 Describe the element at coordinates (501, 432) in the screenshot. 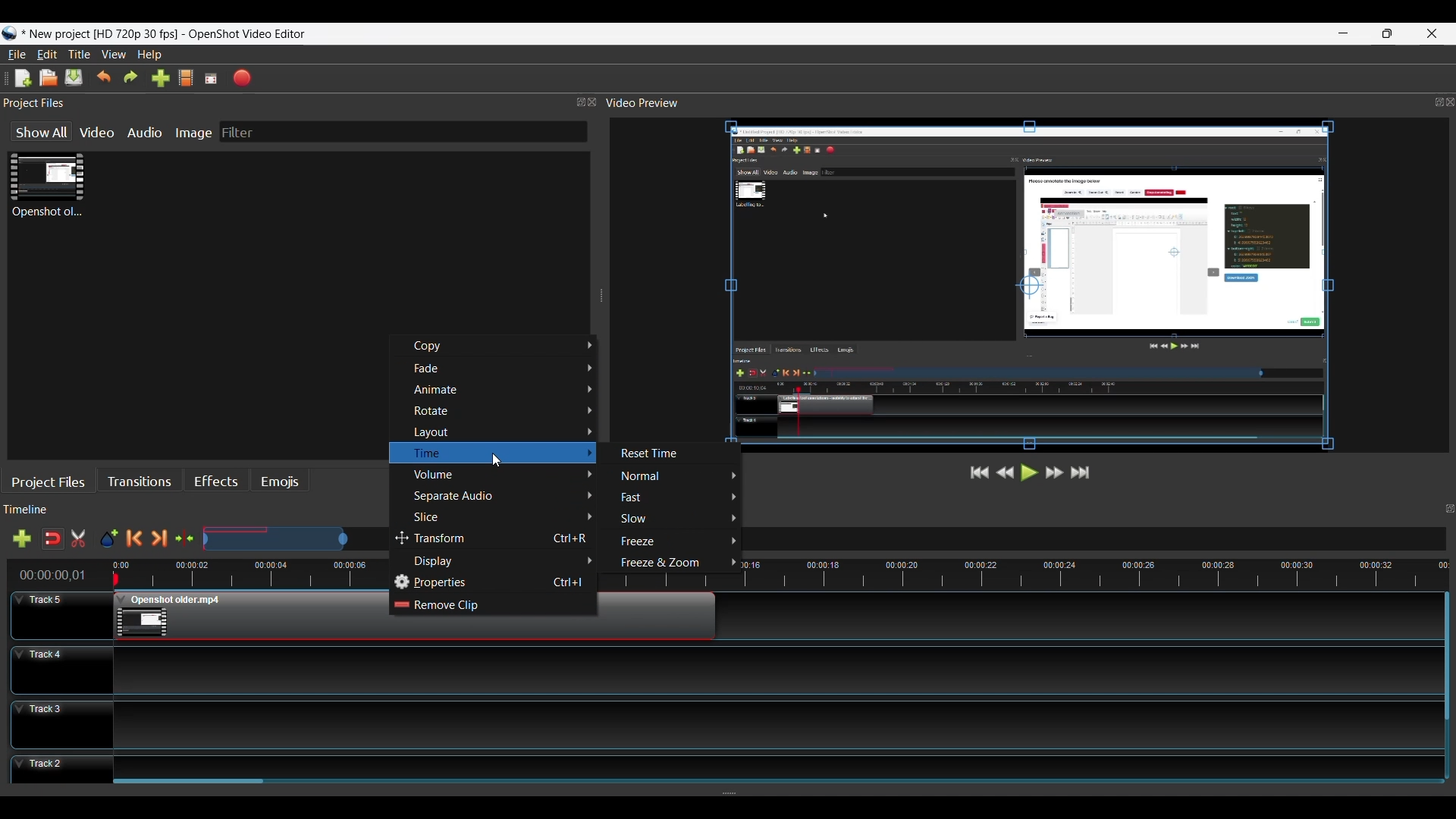

I see `Layout` at that location.